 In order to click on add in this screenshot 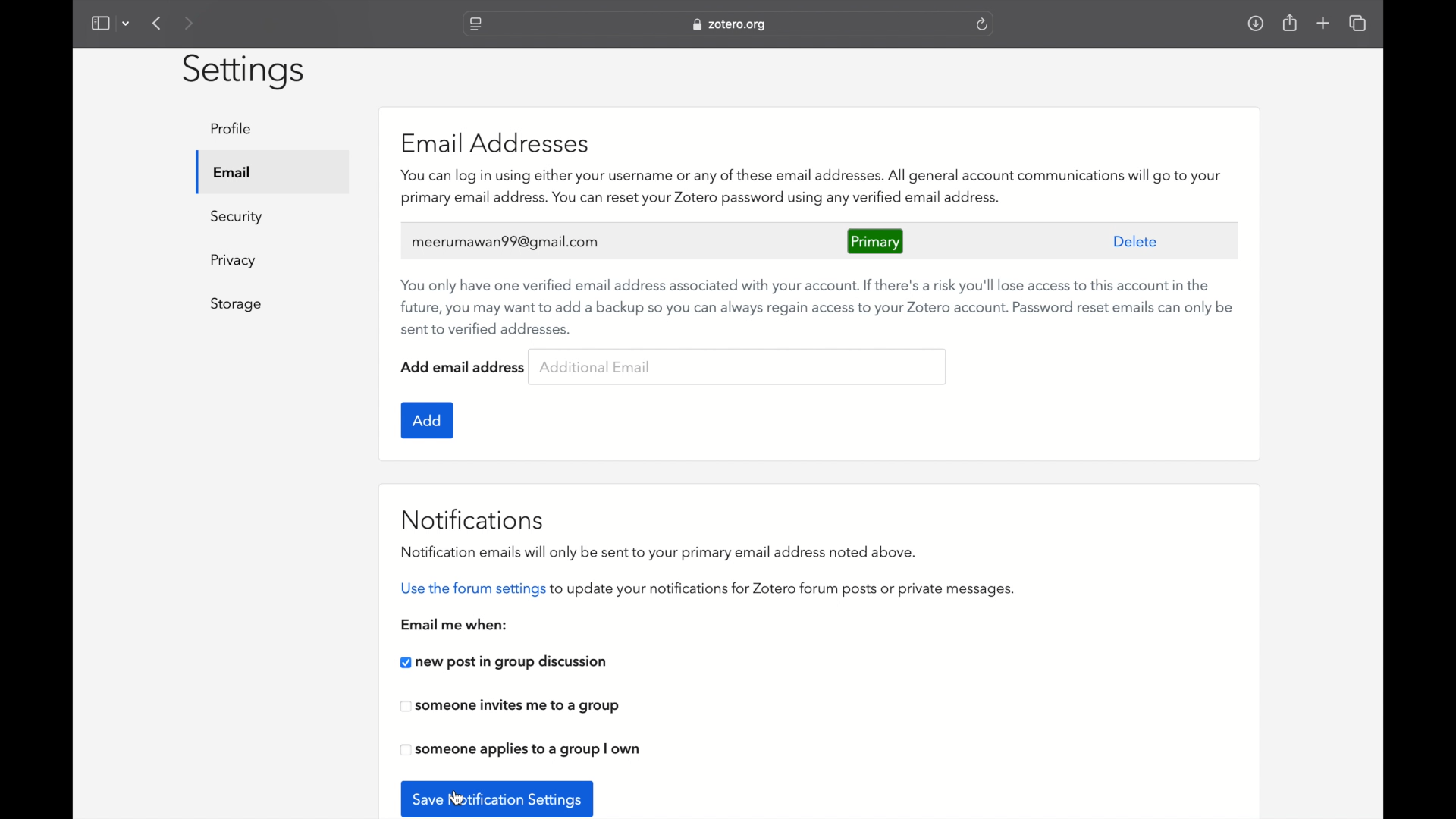, I will do `click(428, 420)`.